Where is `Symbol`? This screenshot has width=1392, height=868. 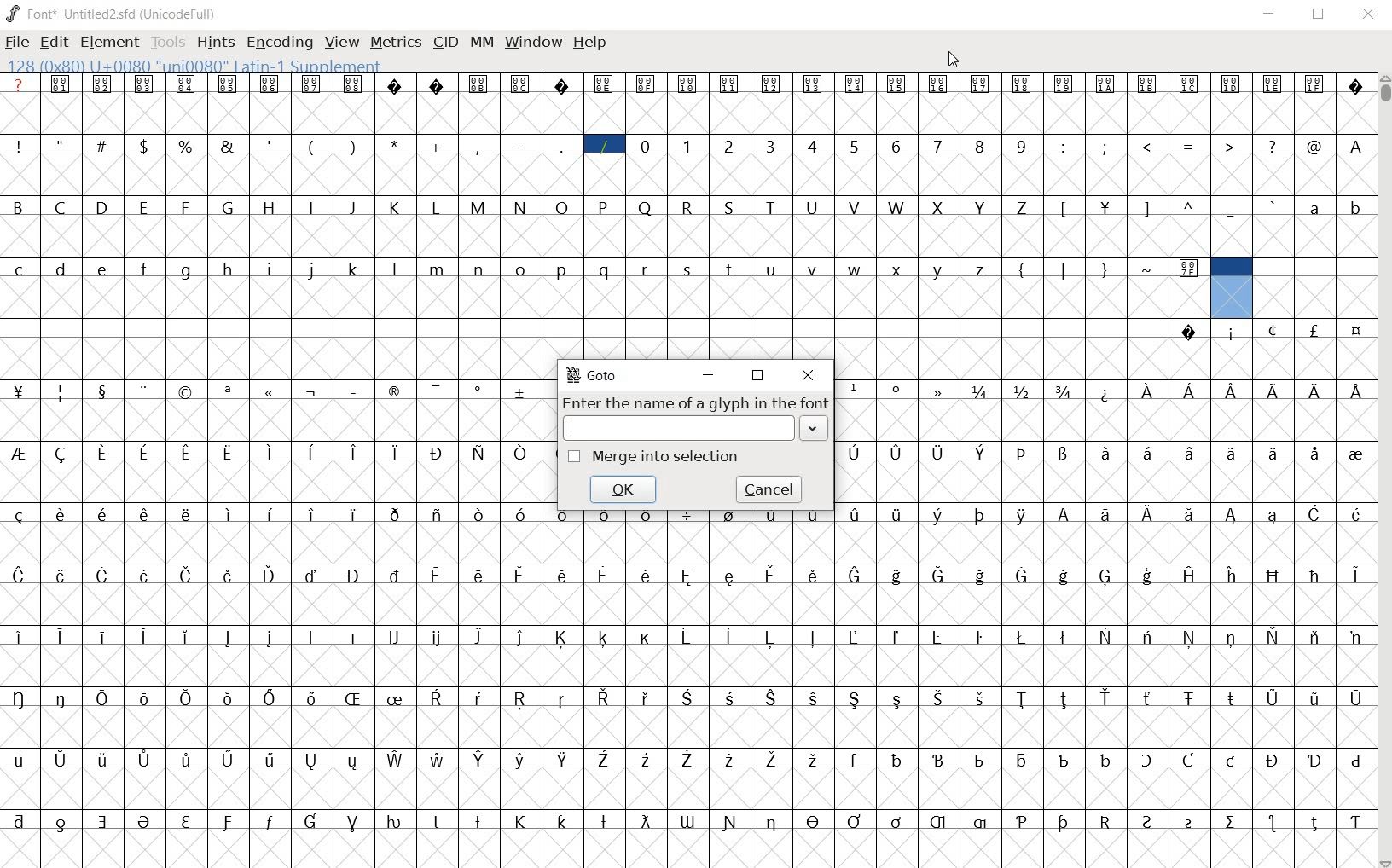 Symbol is located at coordinates (940, 574).